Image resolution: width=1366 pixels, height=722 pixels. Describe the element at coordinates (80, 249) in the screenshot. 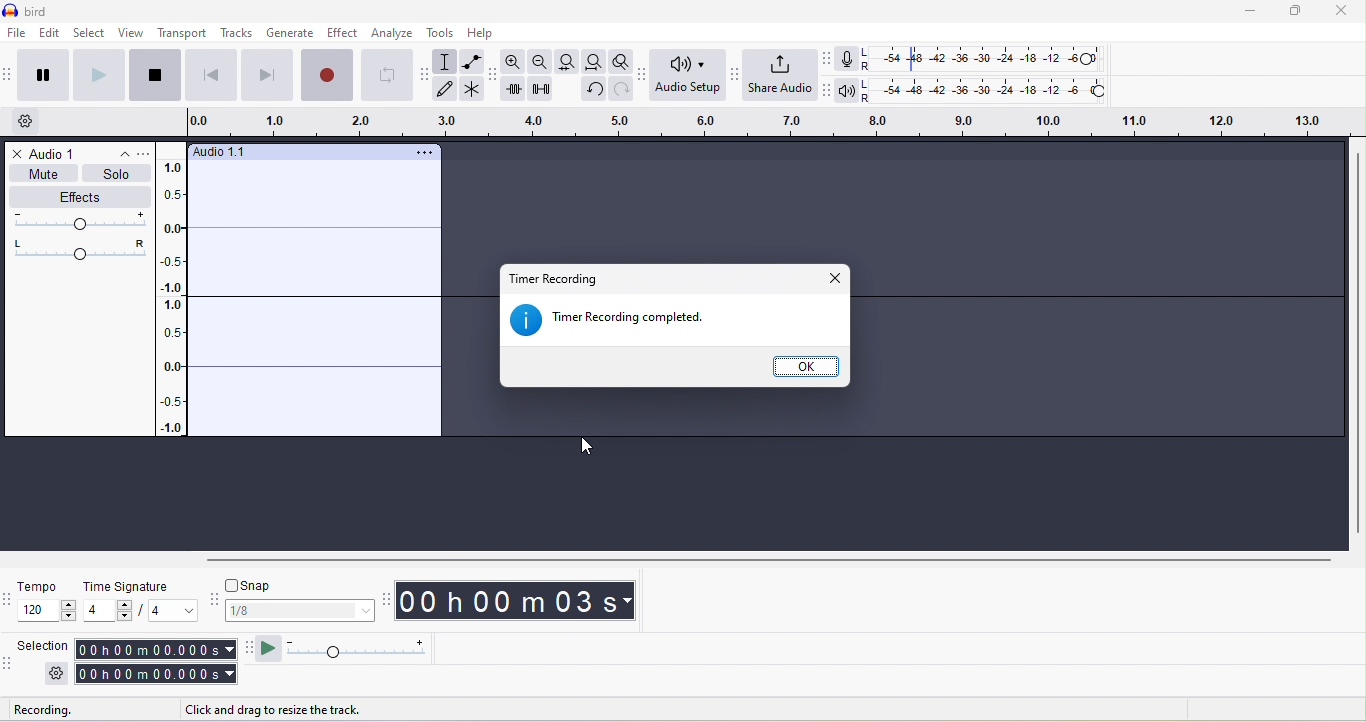

I see `pan` at that location.